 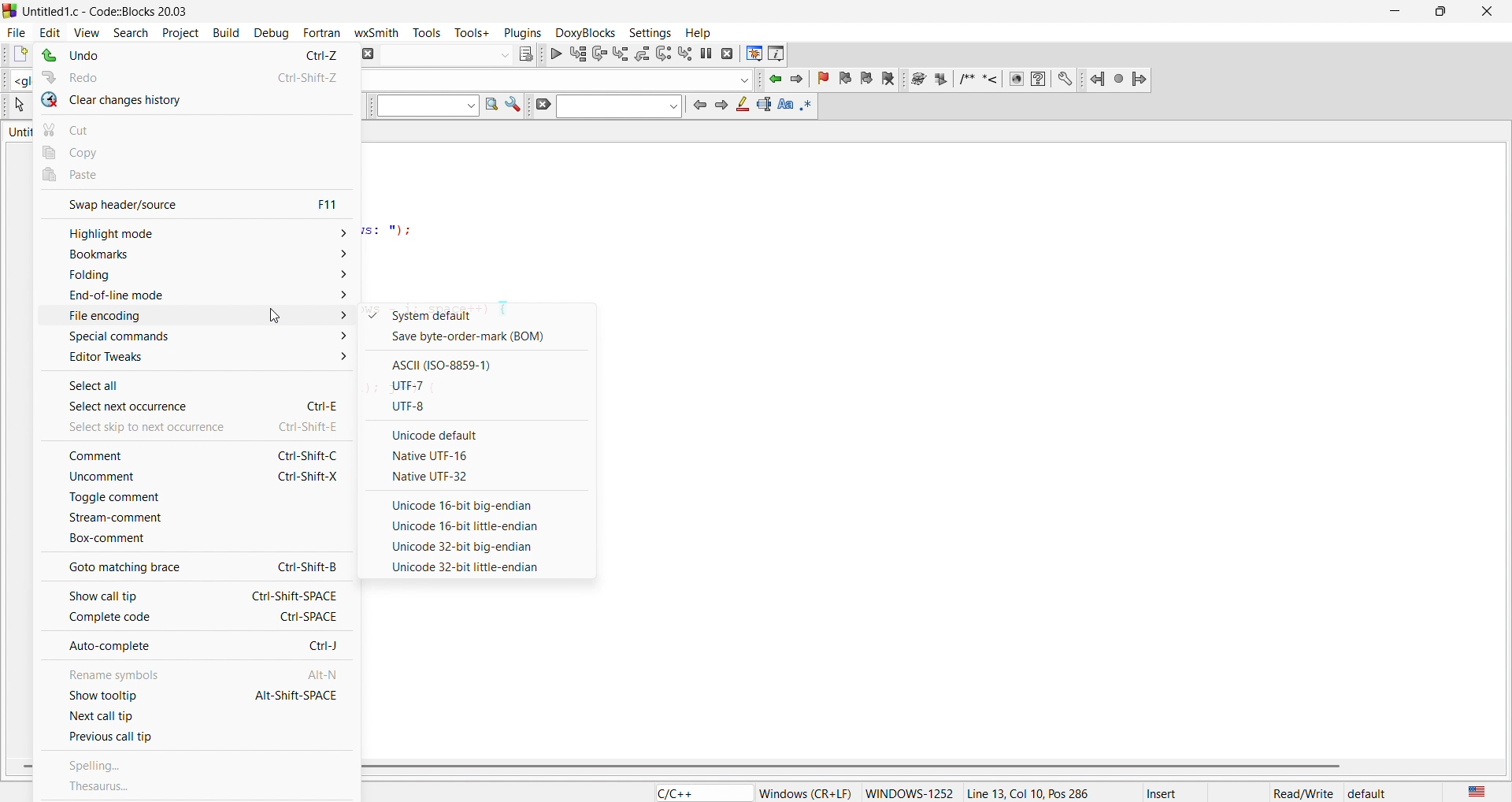 What do you see at coordinates (194, 230) in the screenshot?
I see `highlight mode` at bounding box center [194, 230].